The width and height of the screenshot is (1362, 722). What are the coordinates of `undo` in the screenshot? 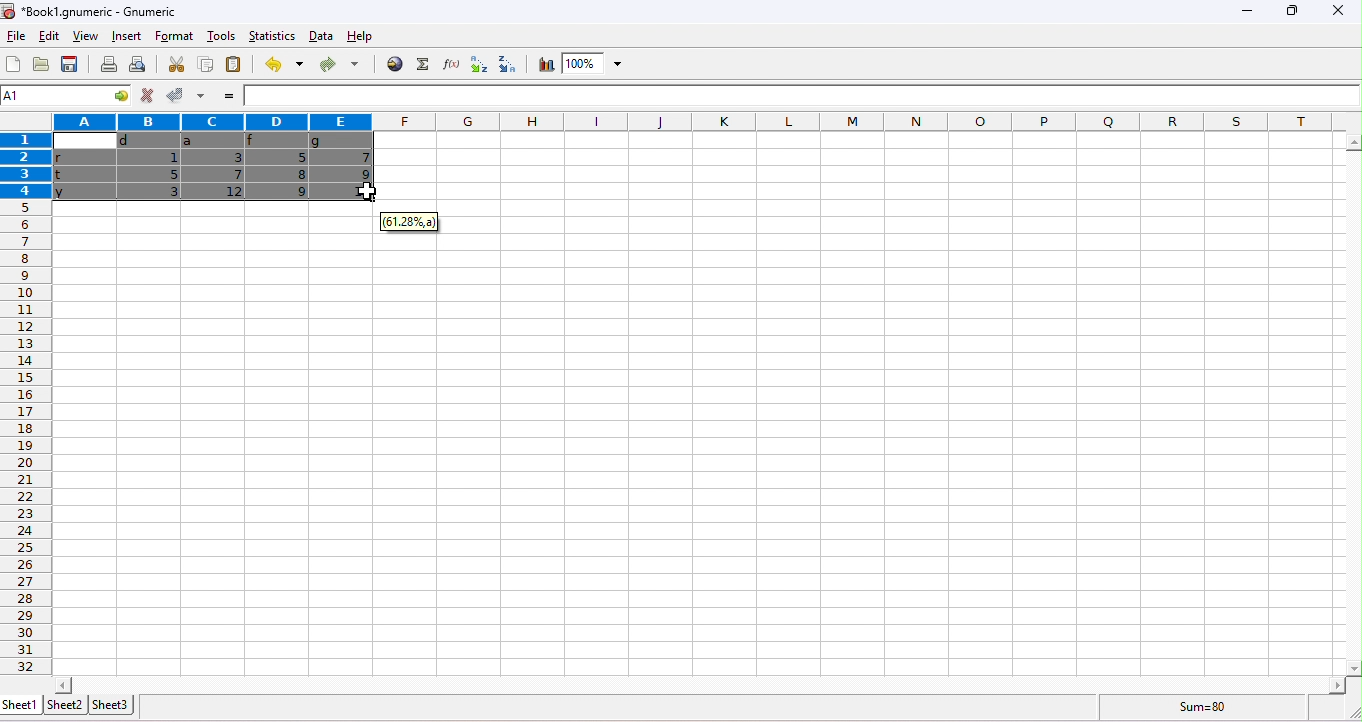 It's located at (282, 63).